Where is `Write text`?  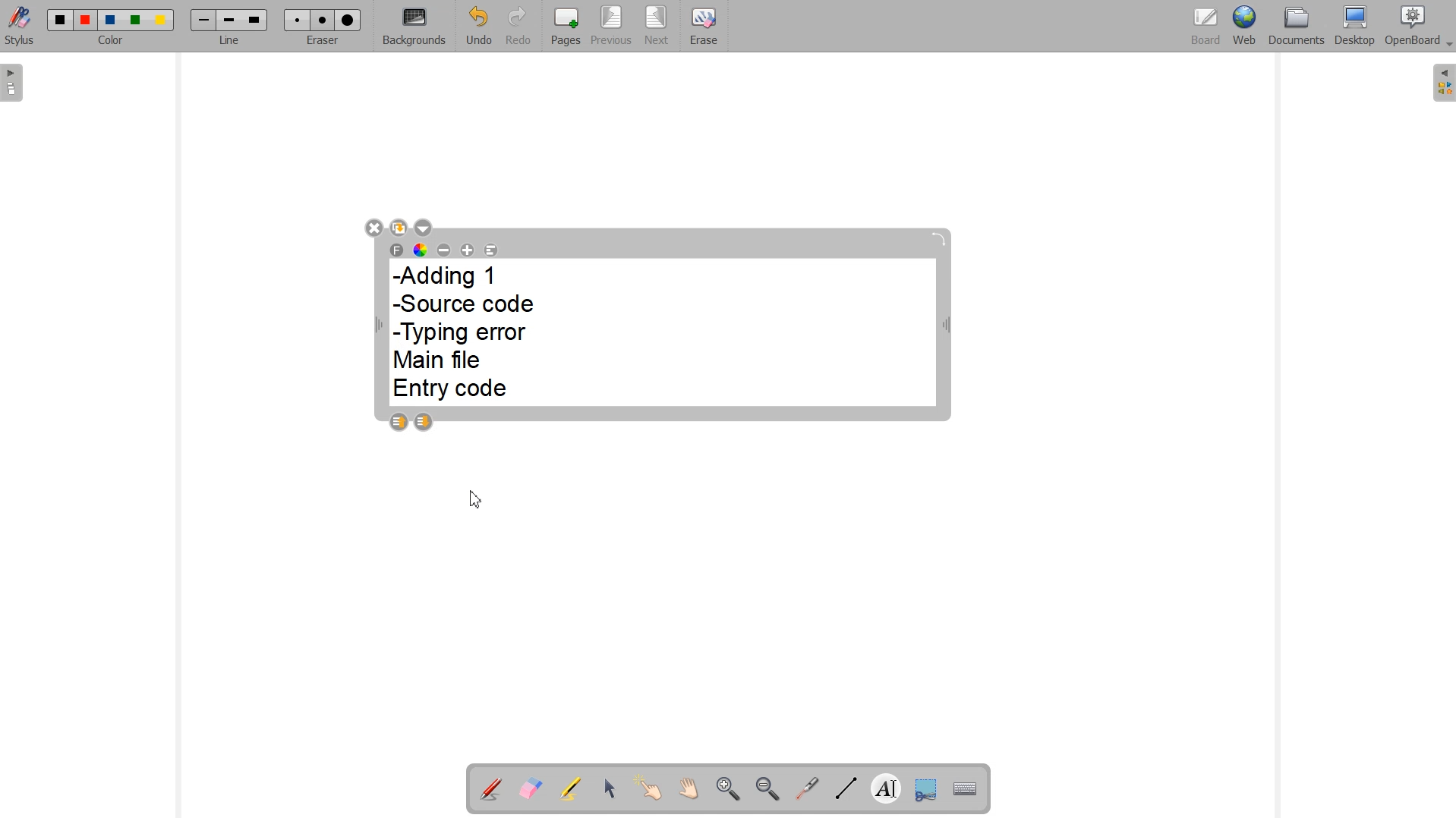
Write text is located at coordinates (886, 786).